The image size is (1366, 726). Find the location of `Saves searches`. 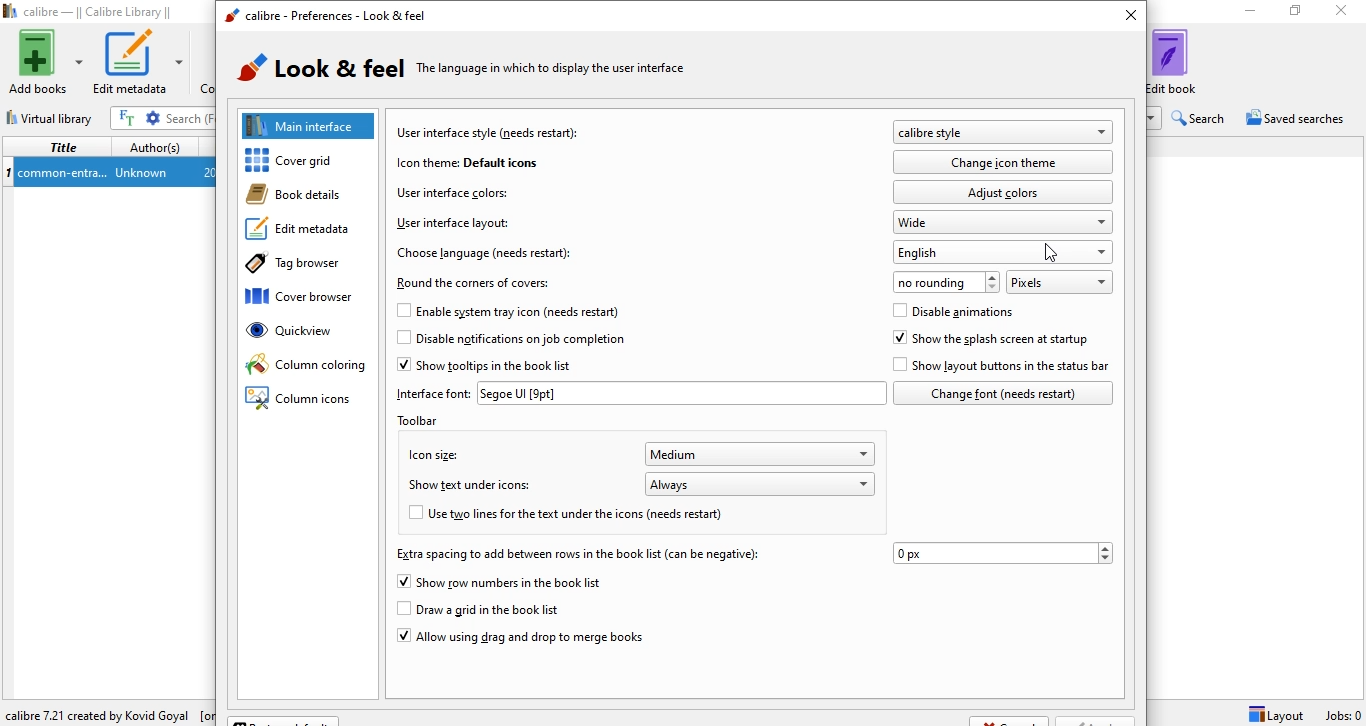

Saves searches is located at coordinates (1298, 120).